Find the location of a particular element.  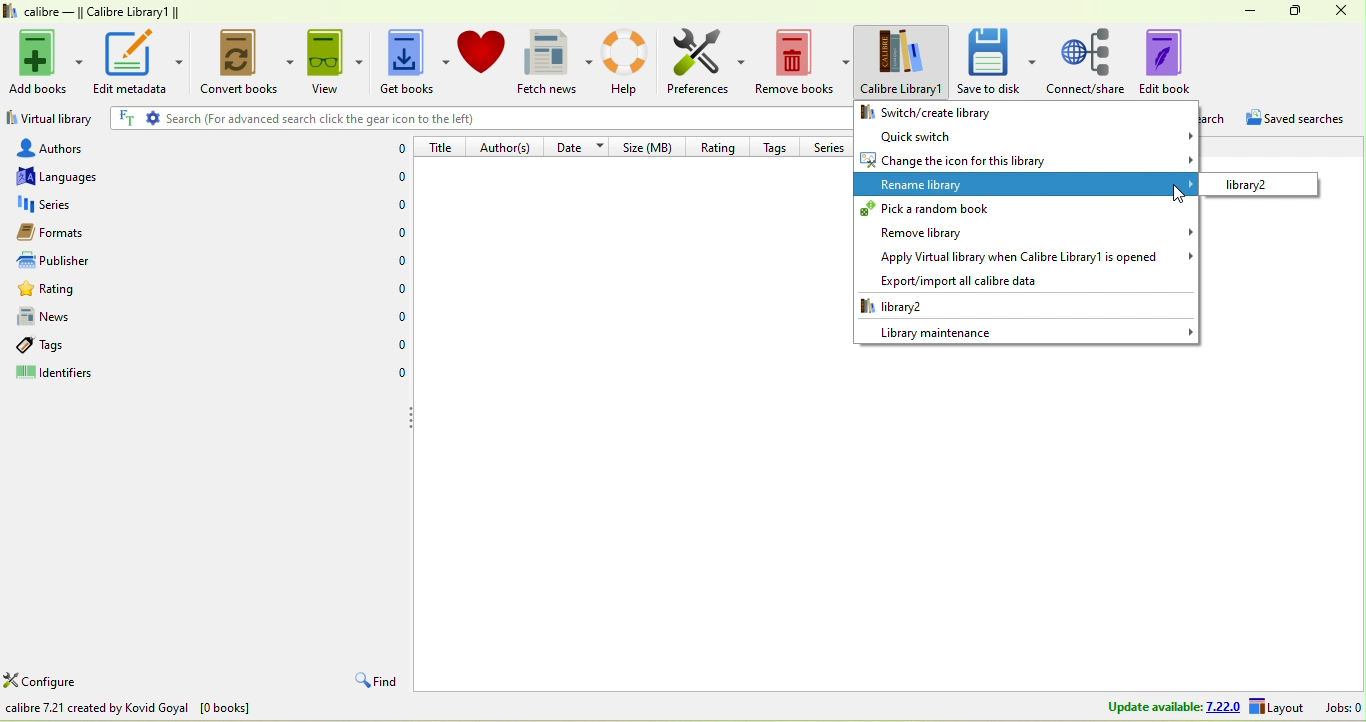

0 is located at coordinates (396, 346).